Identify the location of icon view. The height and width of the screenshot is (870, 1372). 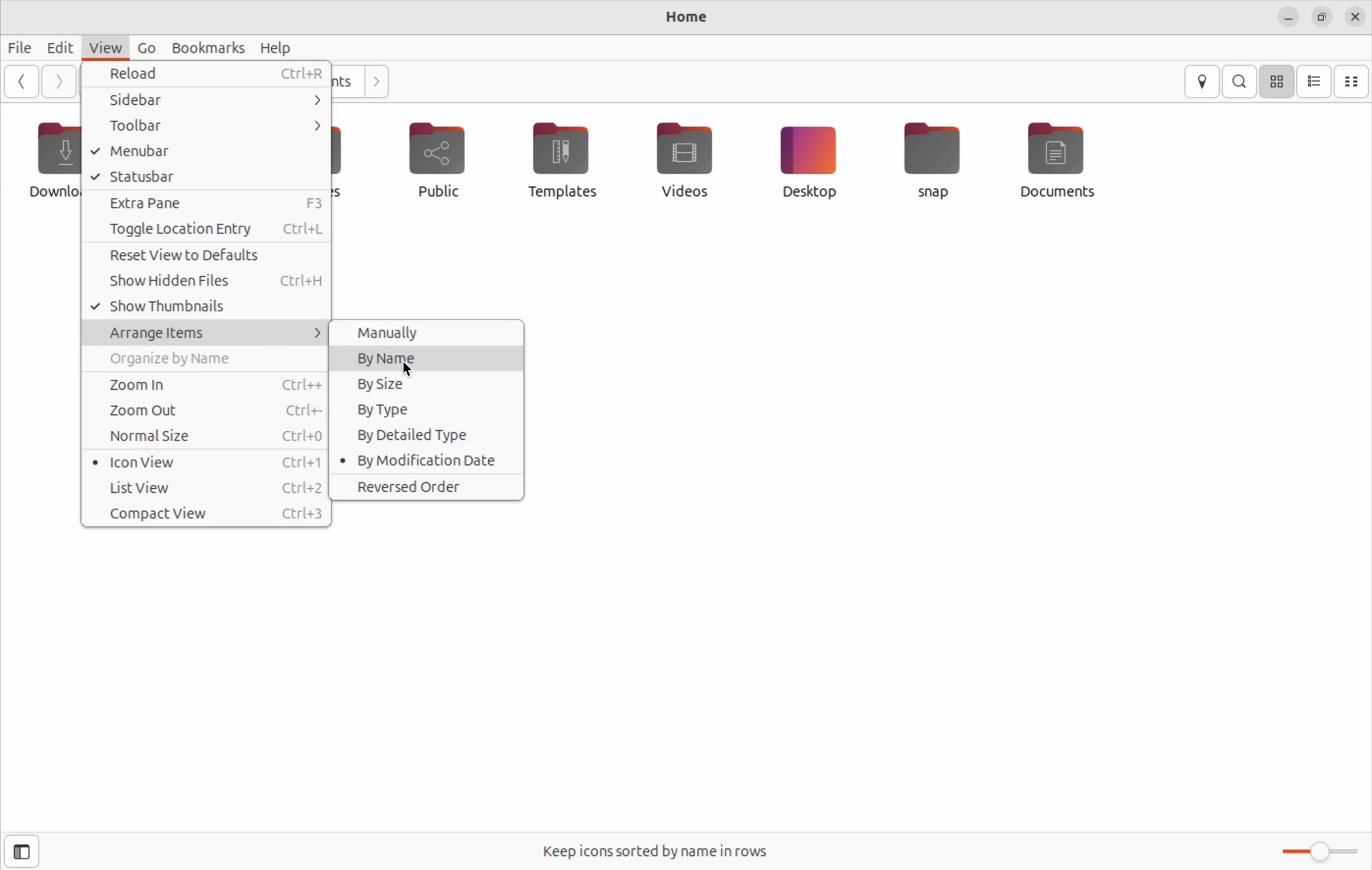
(208, 462).